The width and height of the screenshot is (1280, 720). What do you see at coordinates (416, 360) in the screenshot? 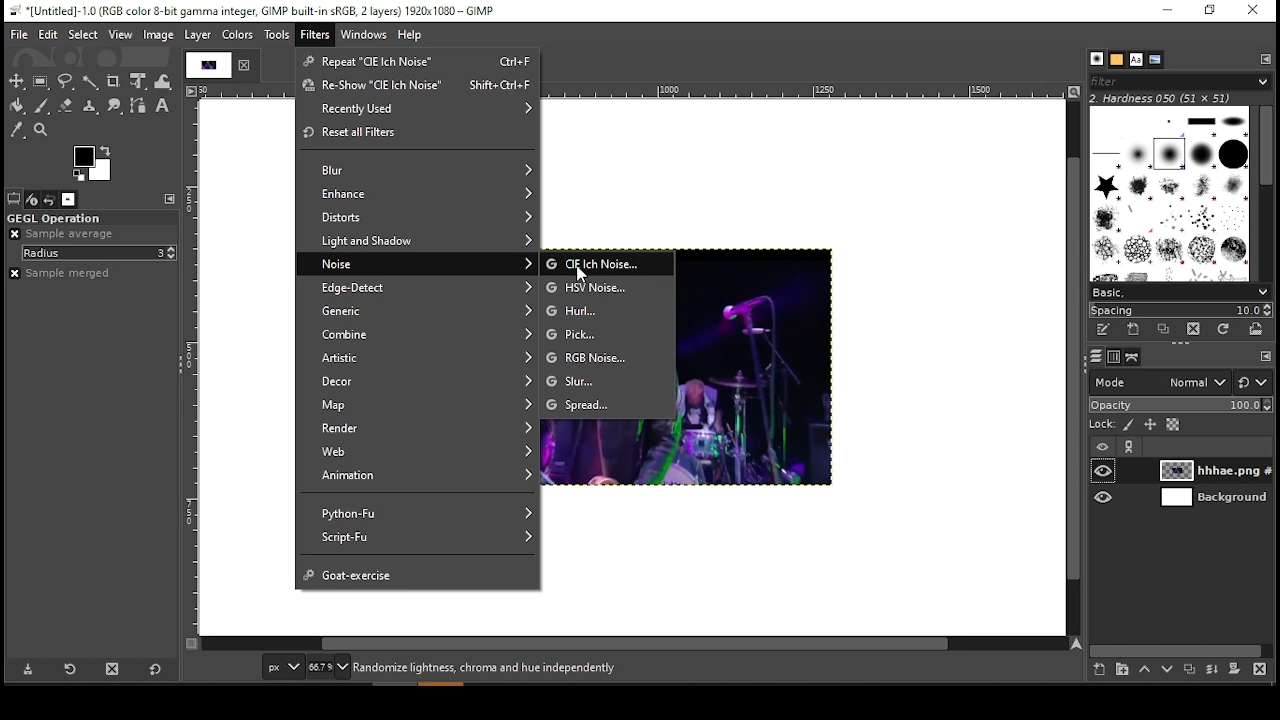
I see `artistic` at bounding box center [416, 360].